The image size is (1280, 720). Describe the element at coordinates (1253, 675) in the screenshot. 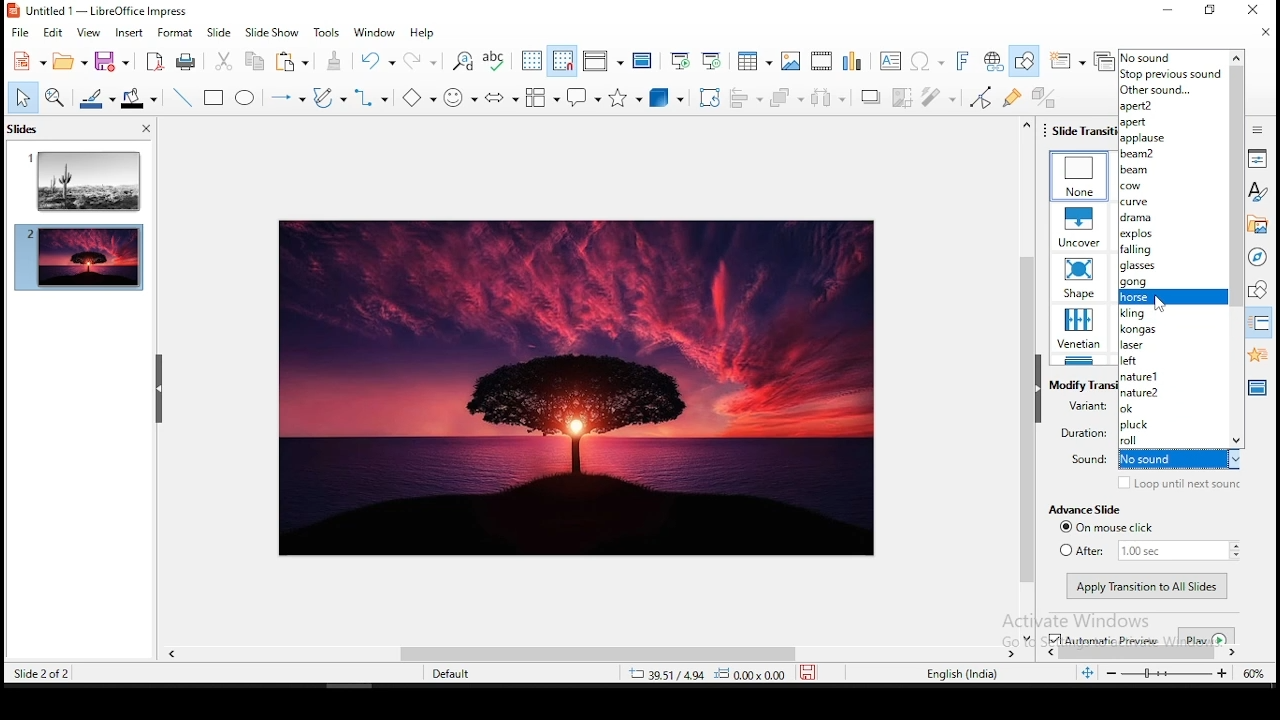

I see `zoom level` at that location.